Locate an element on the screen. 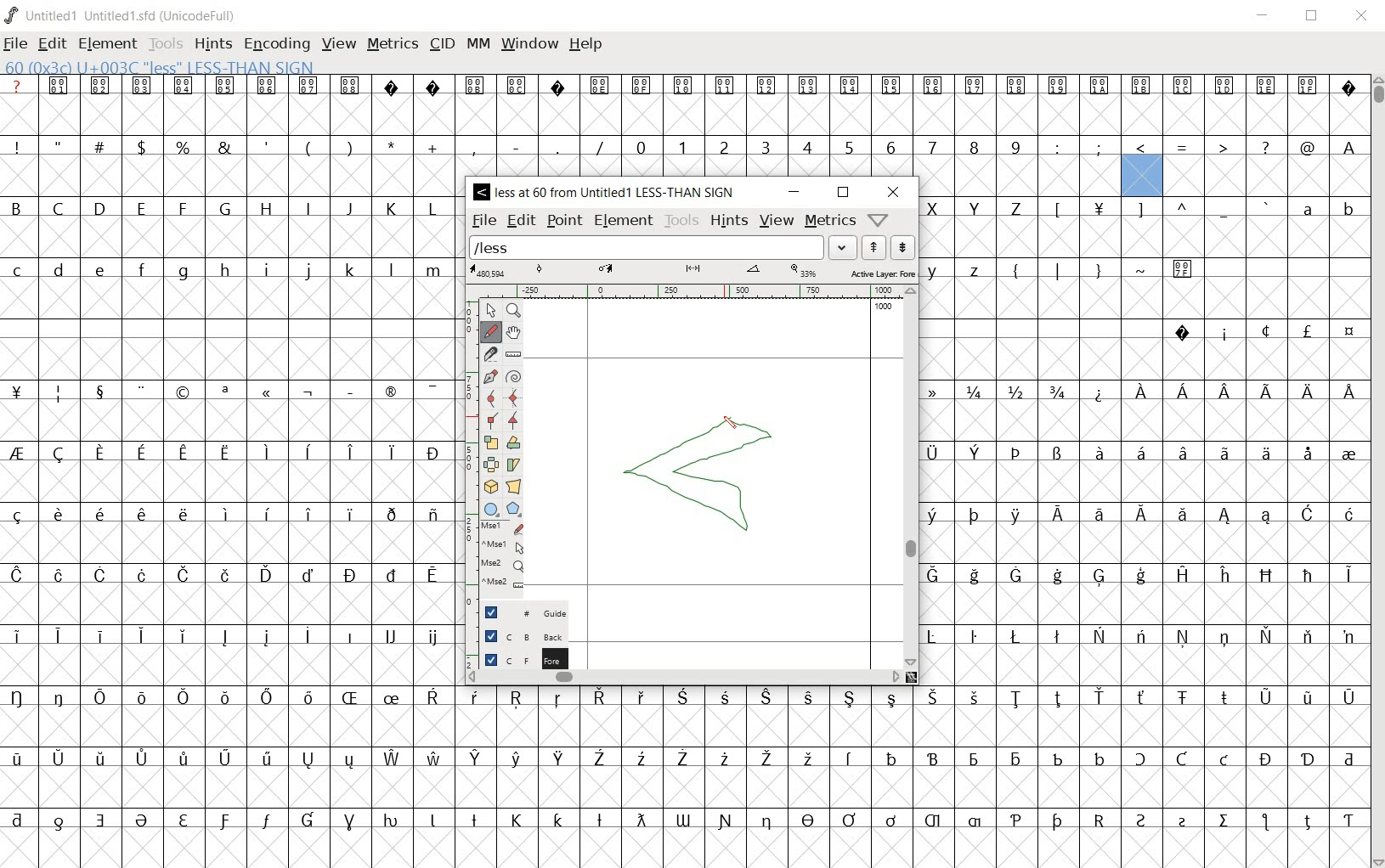 This screenshot has width=1385, height=868. glyph for an open angle bracket creation is located at coordinates (699, 471).